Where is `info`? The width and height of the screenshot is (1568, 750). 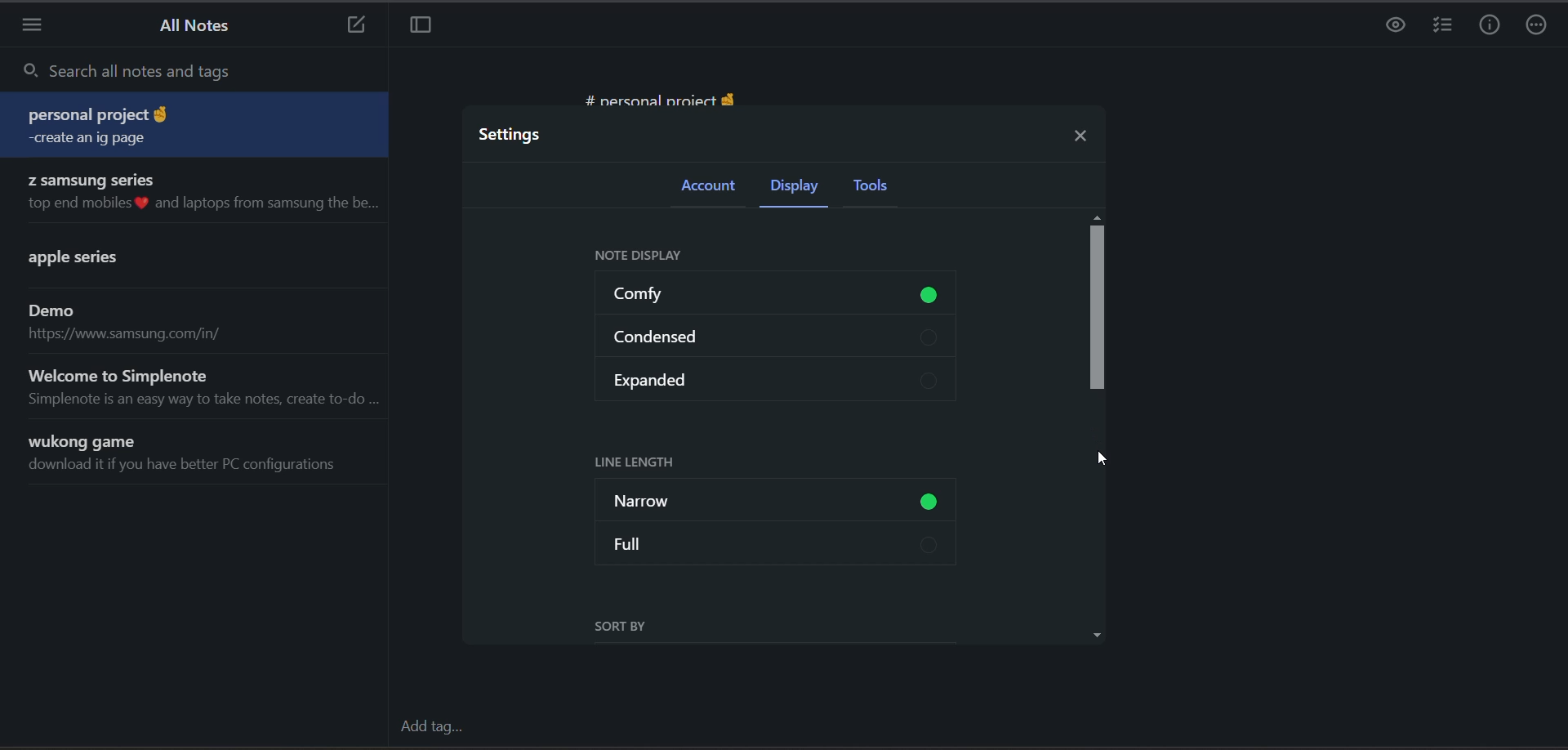
info is located at coordinates (1492, 28).